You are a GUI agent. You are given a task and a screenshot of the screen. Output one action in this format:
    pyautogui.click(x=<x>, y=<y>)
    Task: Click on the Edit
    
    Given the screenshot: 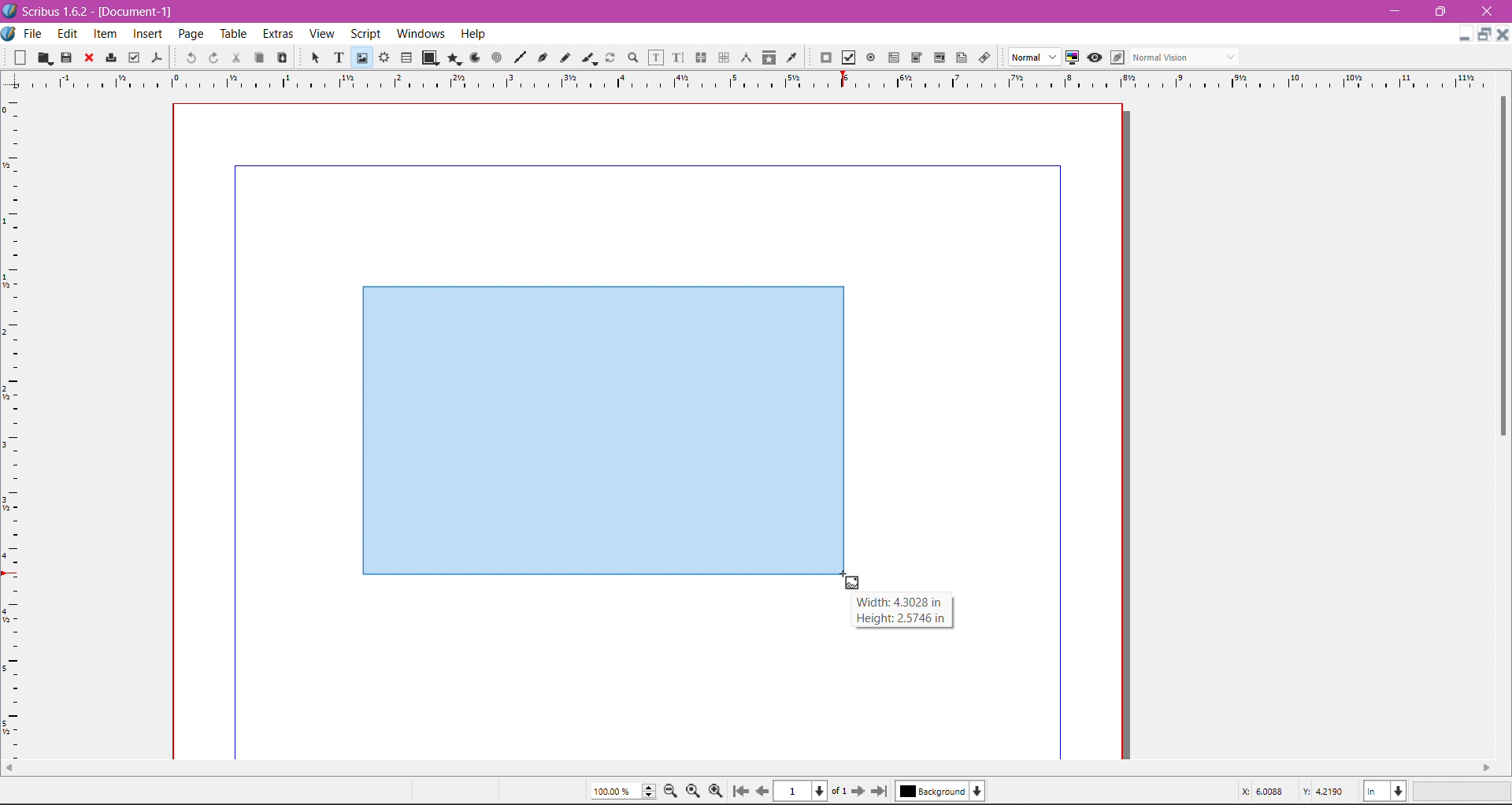 What is the action you would take?
    pyautogui.click(x=67, y=35)
    